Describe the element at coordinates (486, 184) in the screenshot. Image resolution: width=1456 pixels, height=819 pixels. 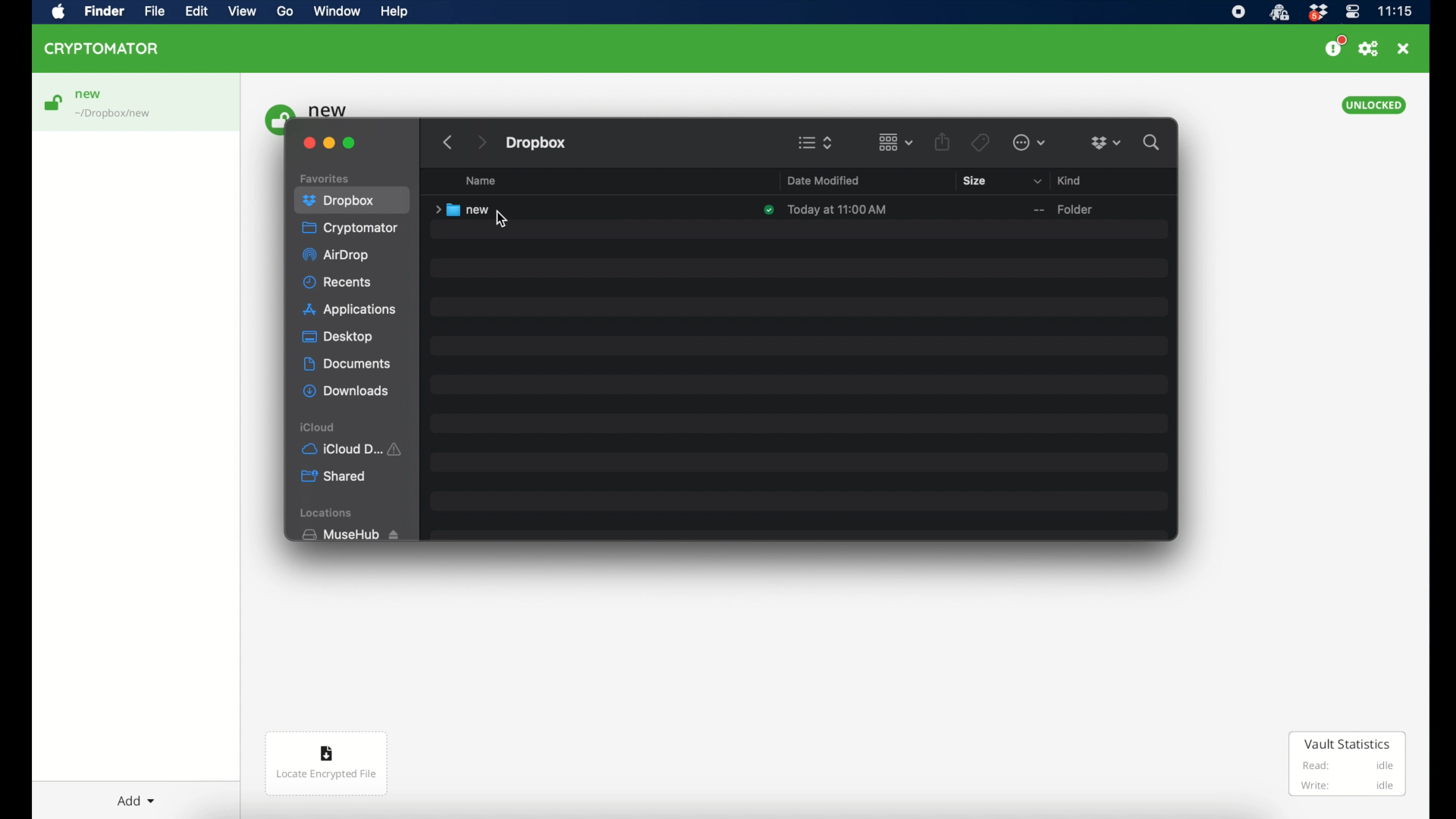
I see `Name` at that location.